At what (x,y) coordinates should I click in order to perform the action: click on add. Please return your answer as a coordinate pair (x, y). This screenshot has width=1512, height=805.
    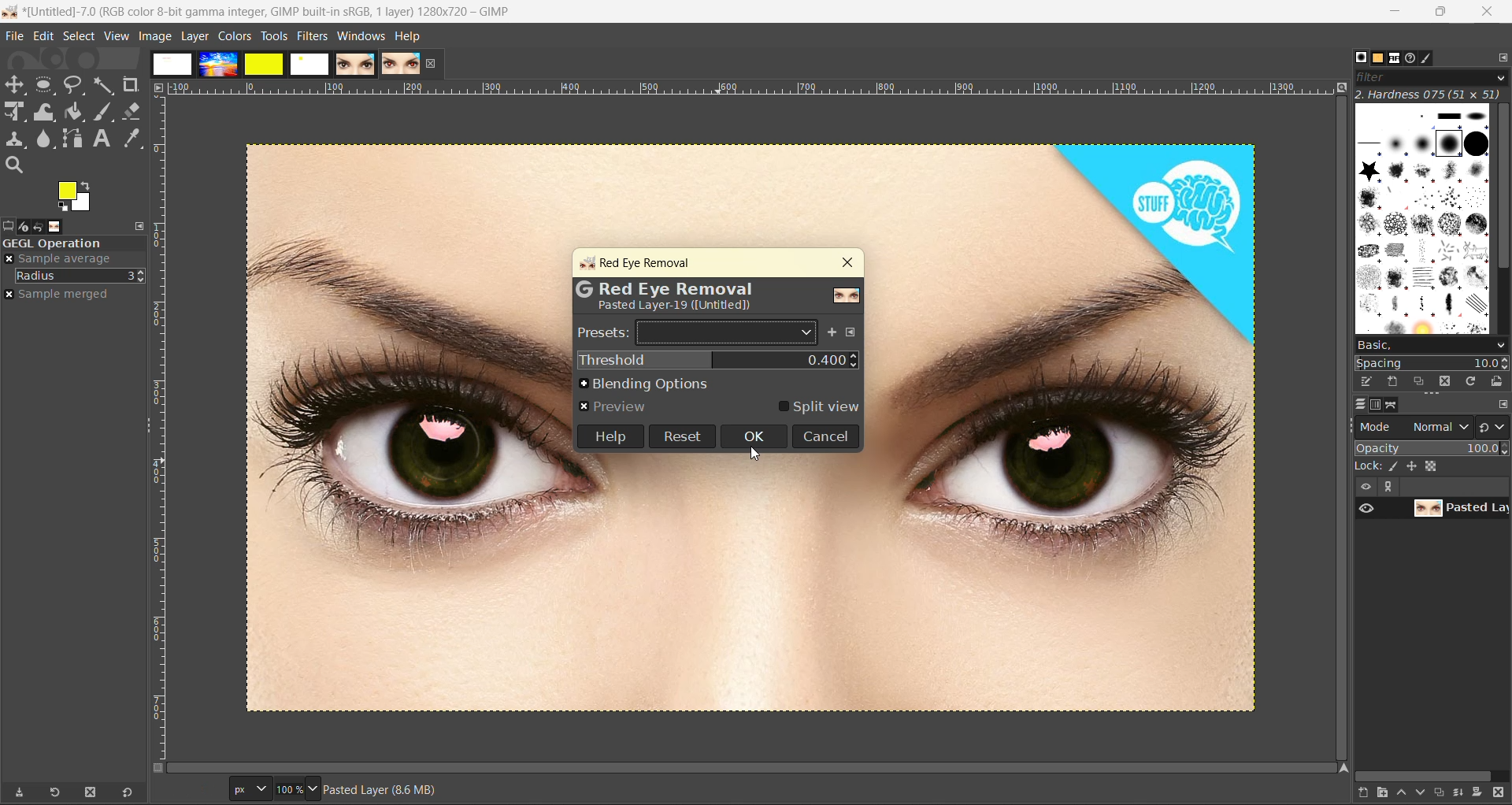
    Looking at the image, I should click on (831, 334).